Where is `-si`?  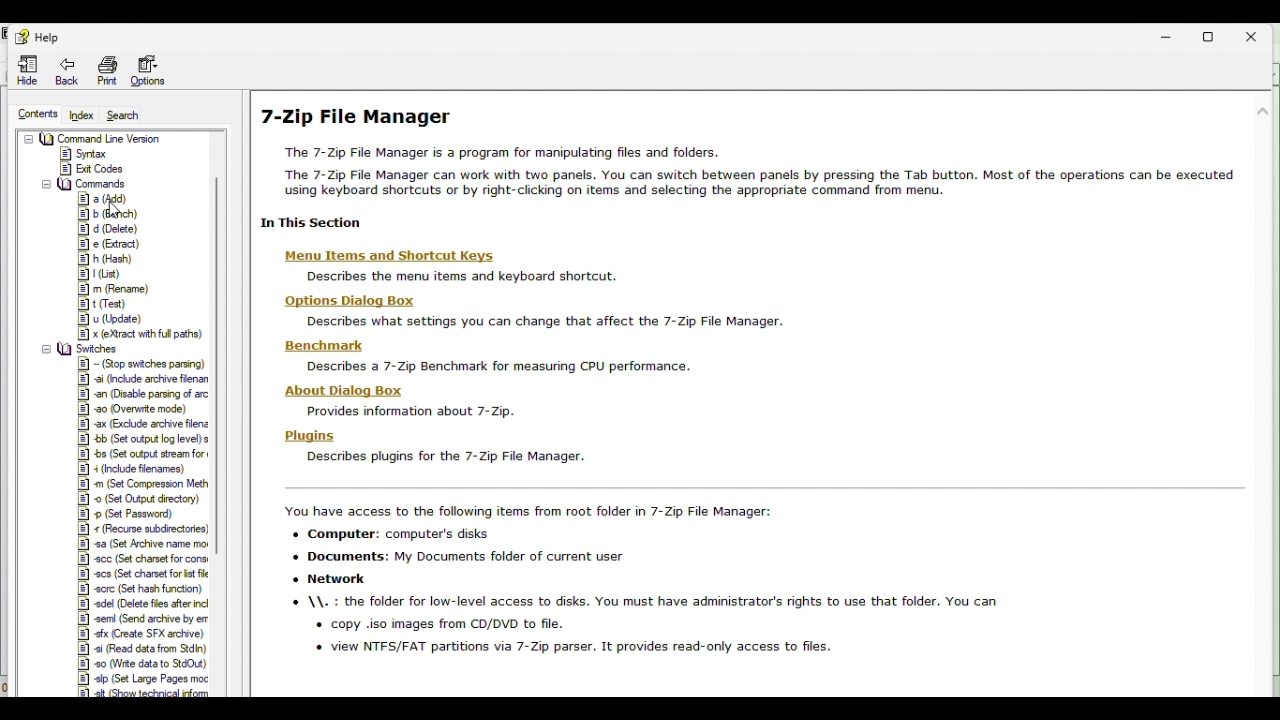
-si is located at coordinates (142, 649).